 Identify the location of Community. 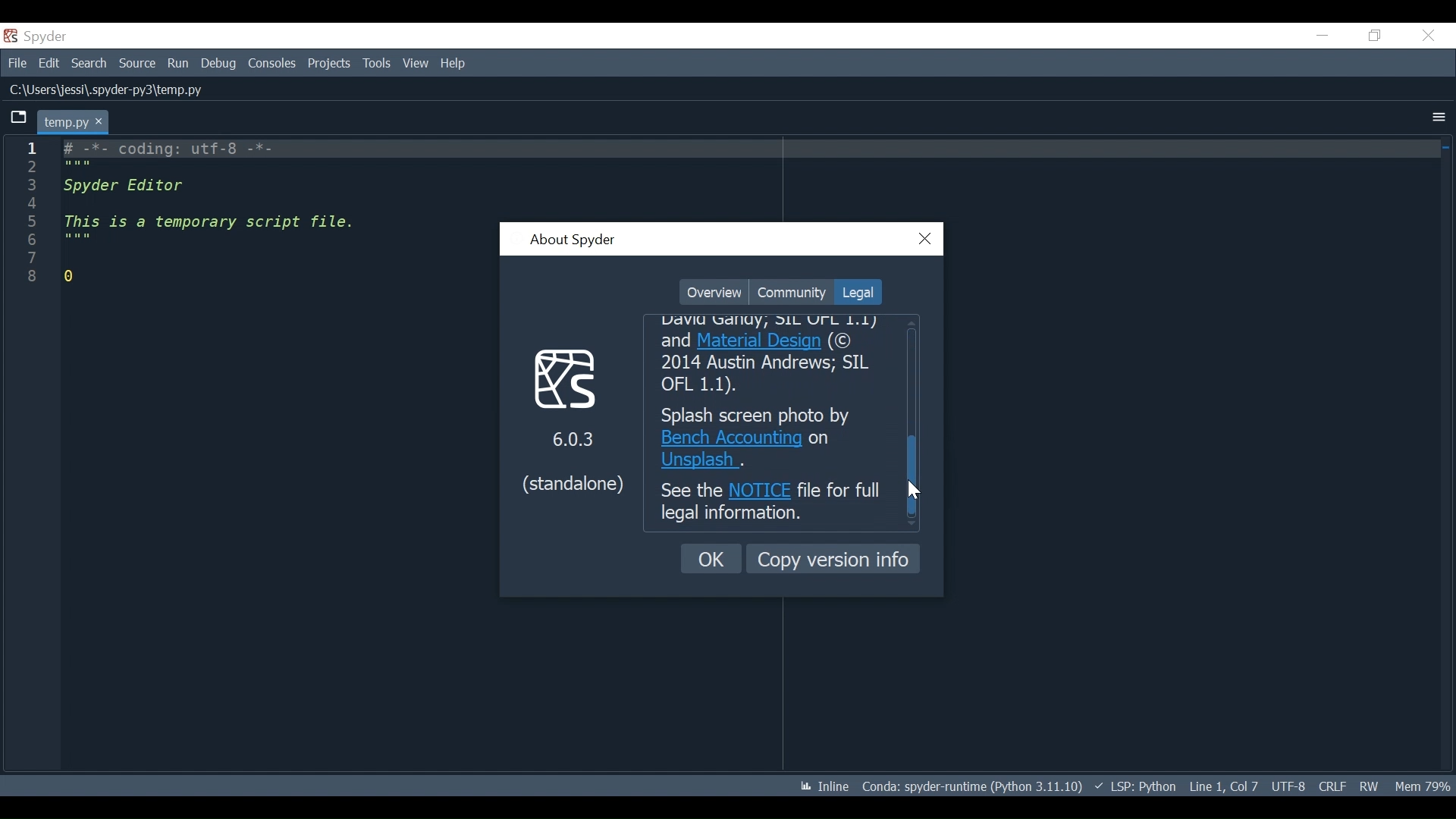
(791, 292).